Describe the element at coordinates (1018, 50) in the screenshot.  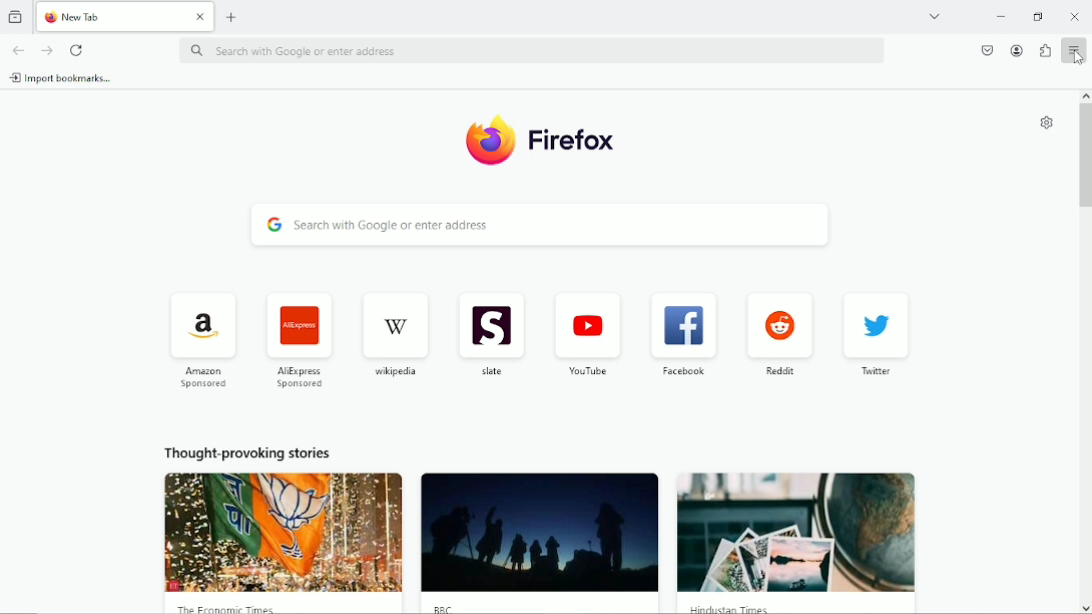
I see `account` at that location.